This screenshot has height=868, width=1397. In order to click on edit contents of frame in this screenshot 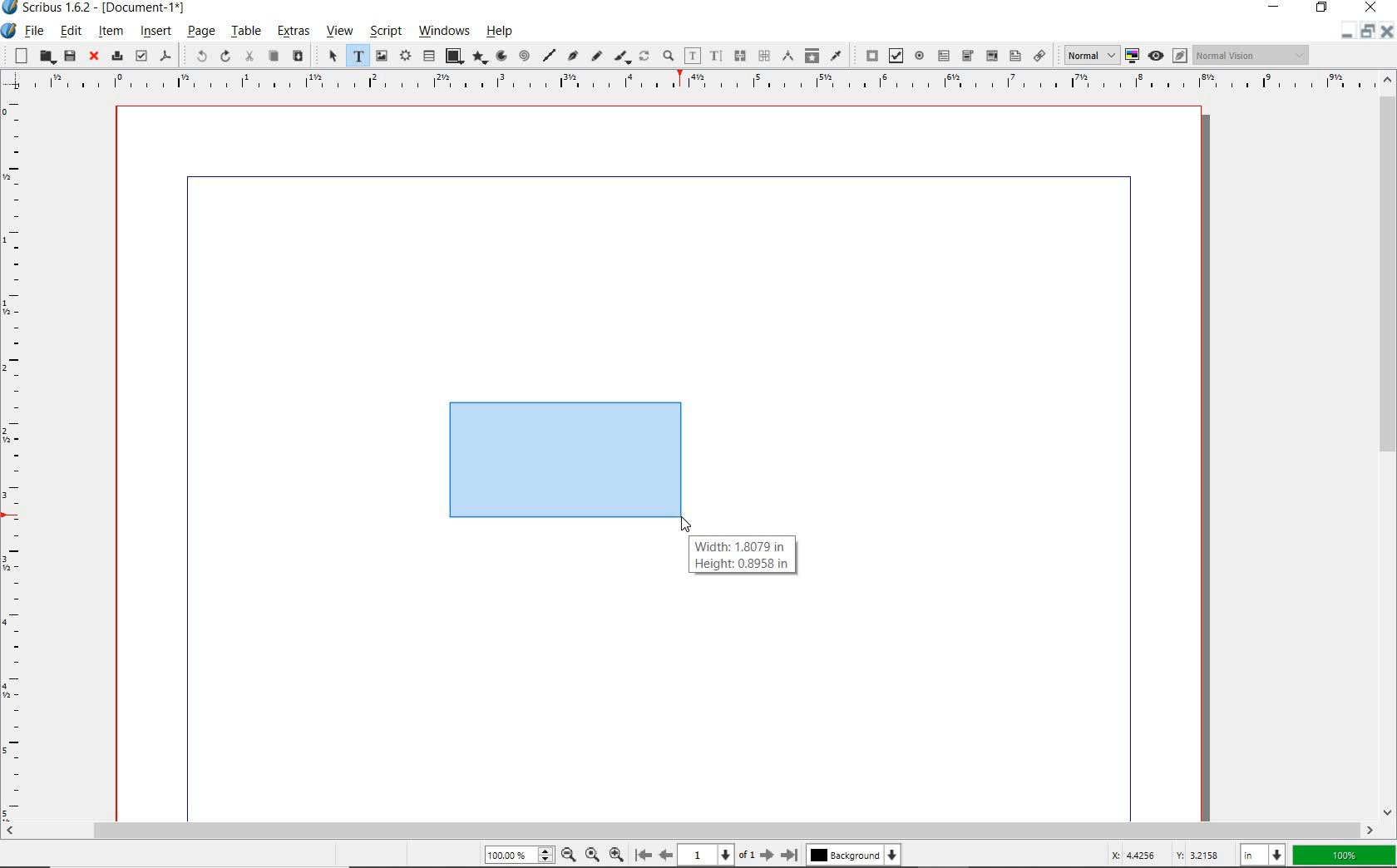, I will do `click(692, 57)`.